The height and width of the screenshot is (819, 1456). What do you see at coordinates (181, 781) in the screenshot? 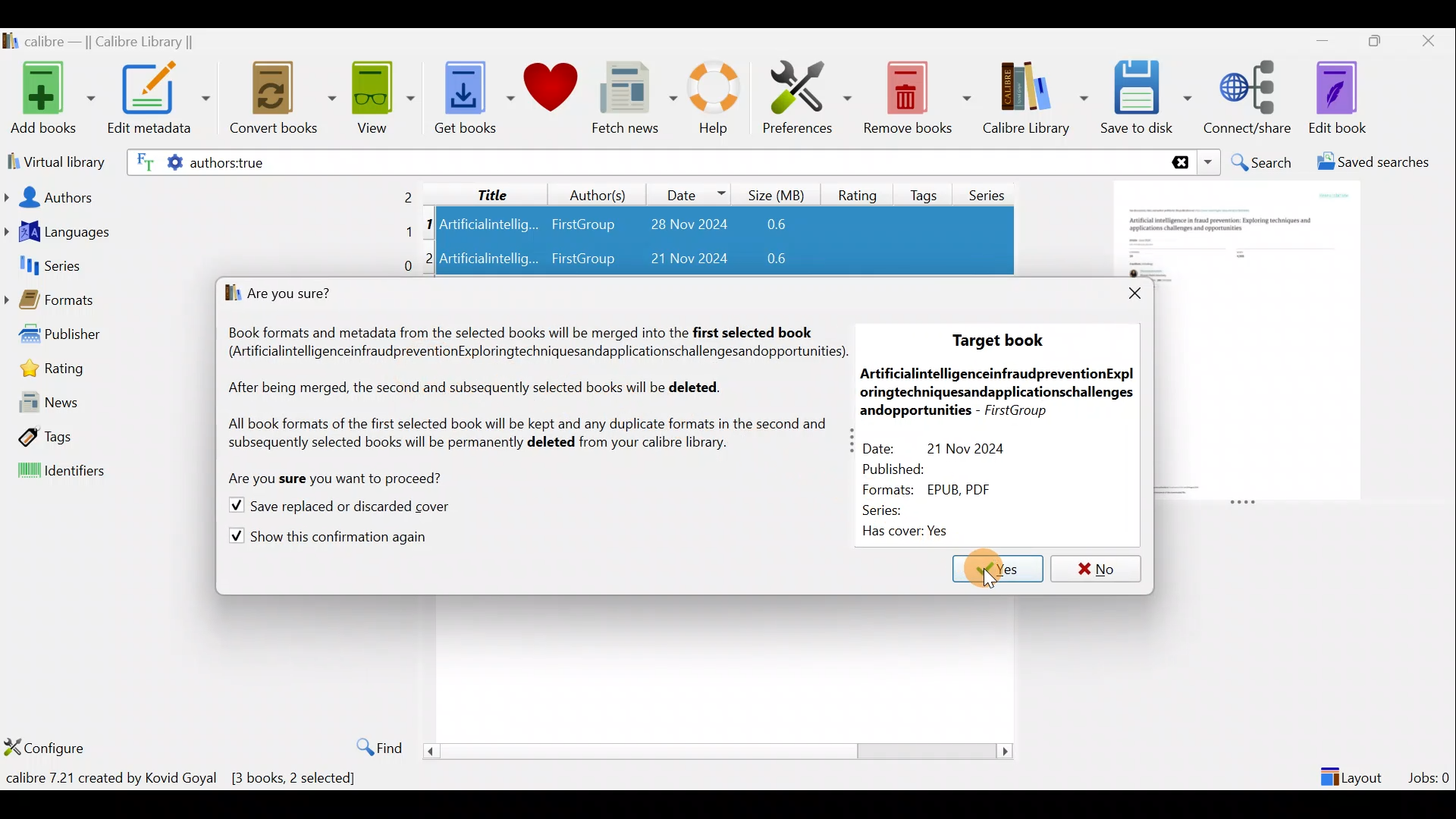
I see `calibre 7.21 created by Kovid Goyal [3 books, 2 selected]` at bounding box center [181, 781].